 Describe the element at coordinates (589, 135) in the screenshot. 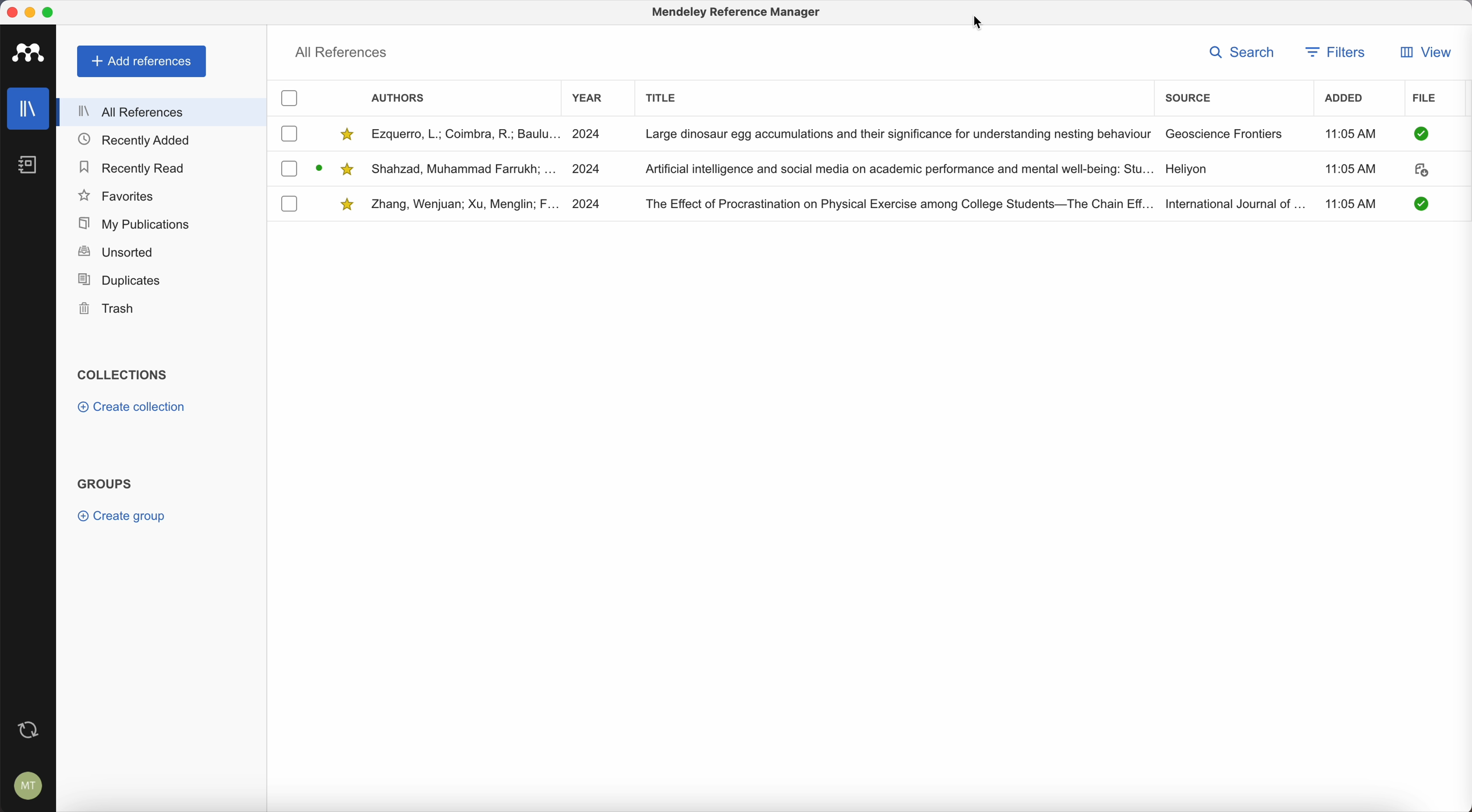

I see `2024` at that location.